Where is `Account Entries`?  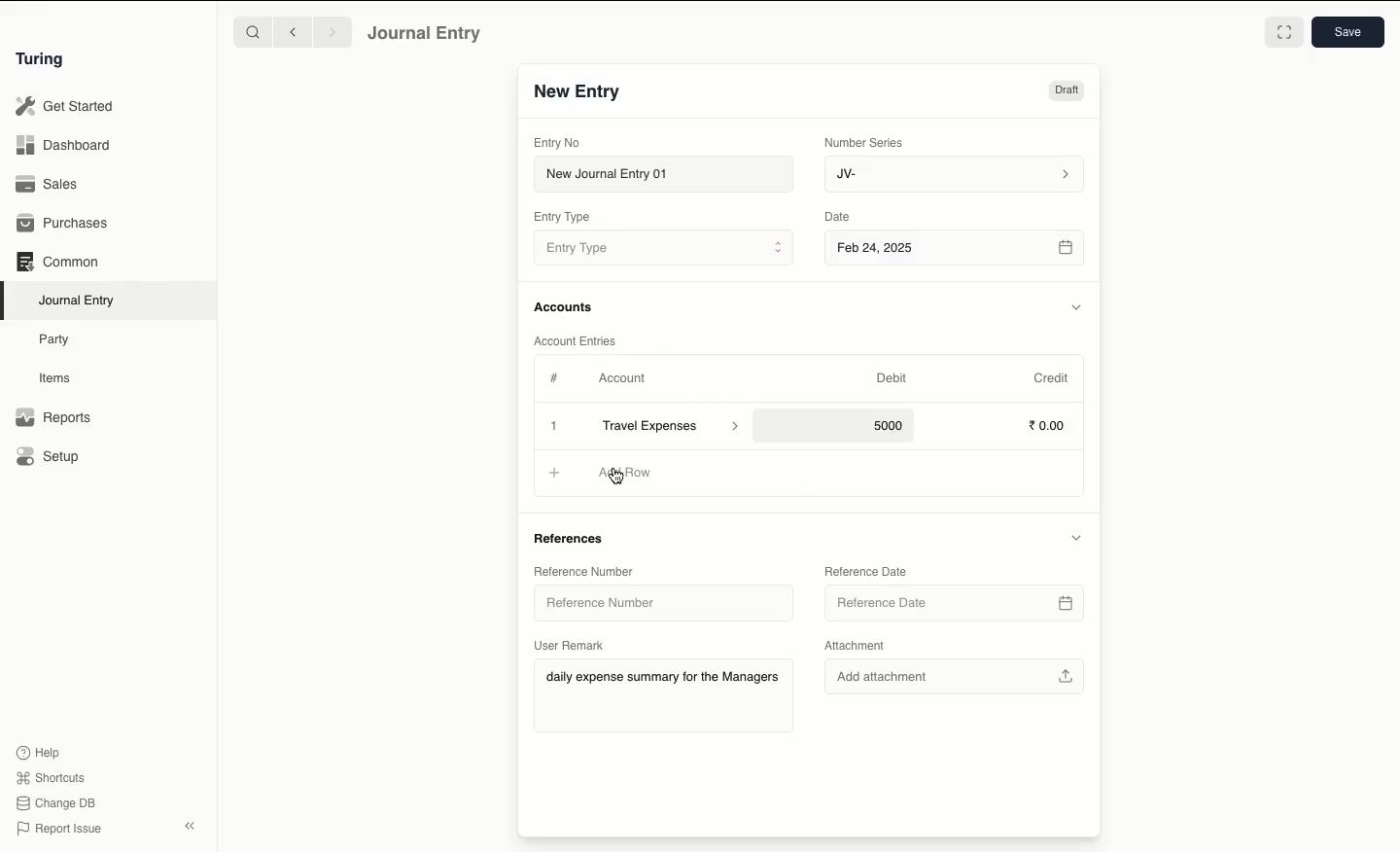 Account Entries is located at coordinates (578, 340).